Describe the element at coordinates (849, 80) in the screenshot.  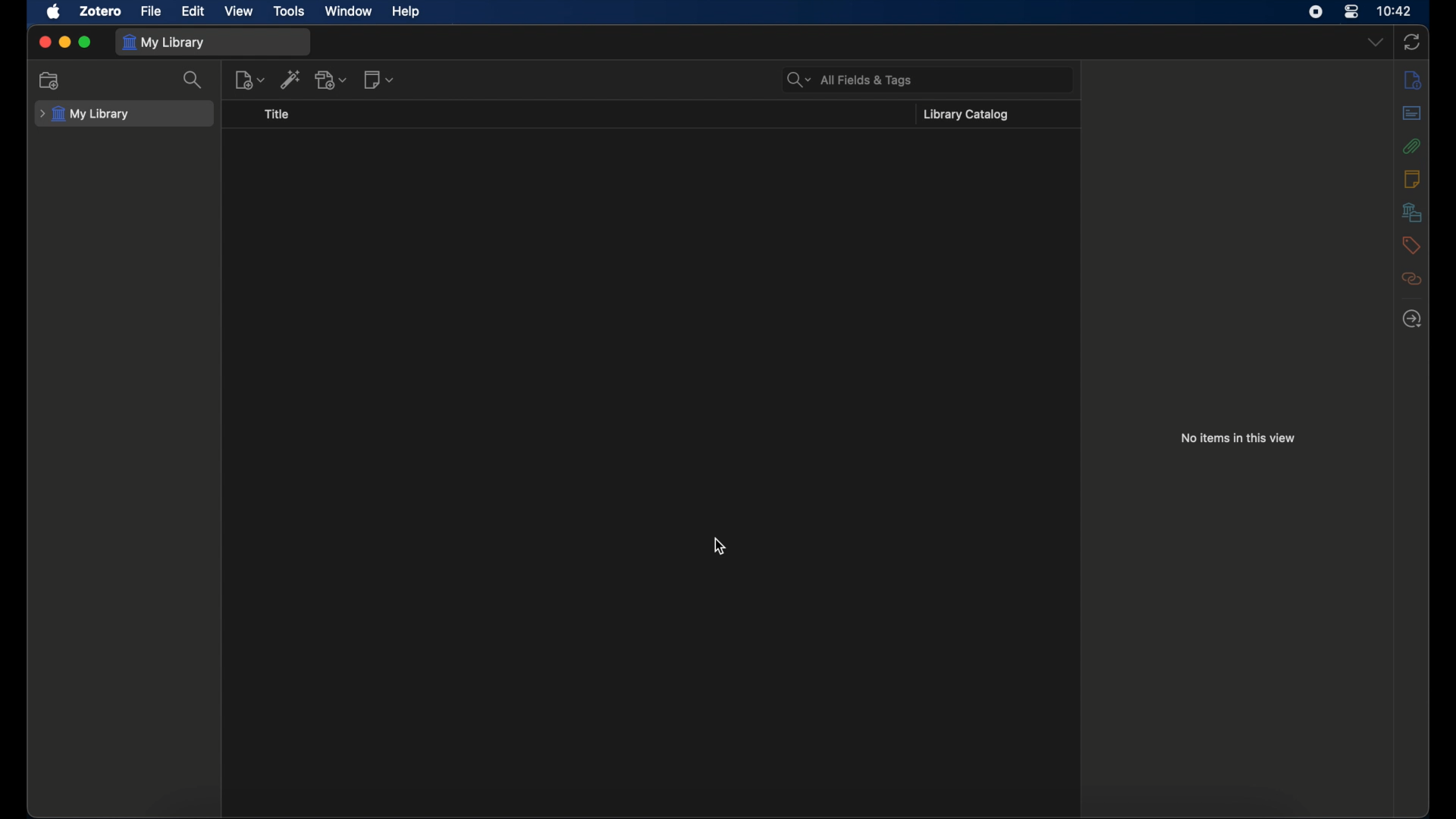
I see `all fields & tags` at that location.